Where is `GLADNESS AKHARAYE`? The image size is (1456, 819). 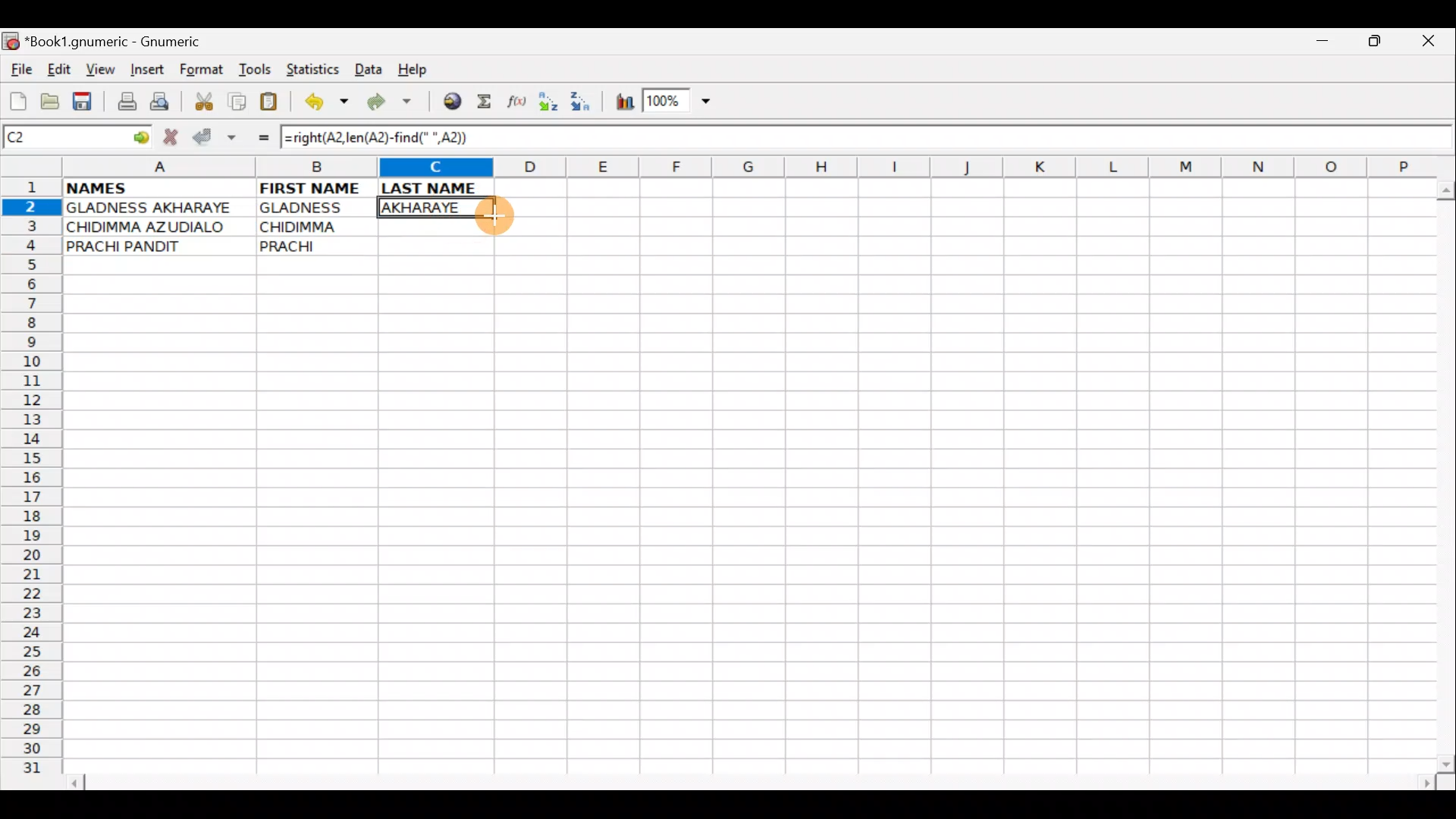 GLADNESS AKHARAYE is located at coordinates (158, 209).